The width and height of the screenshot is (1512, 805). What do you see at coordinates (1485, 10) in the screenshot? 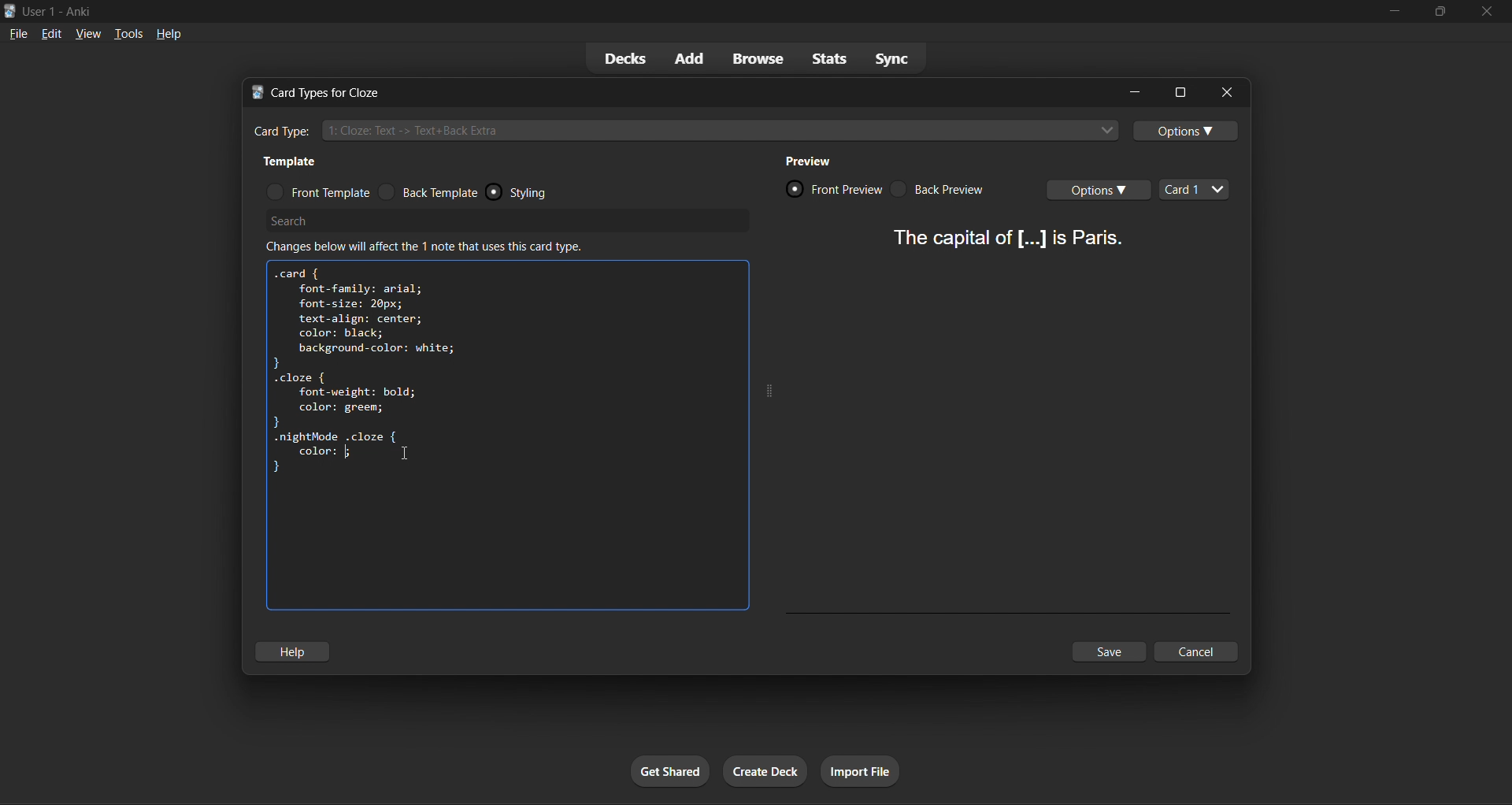
I see `close` at bounding box center [1485, 10].